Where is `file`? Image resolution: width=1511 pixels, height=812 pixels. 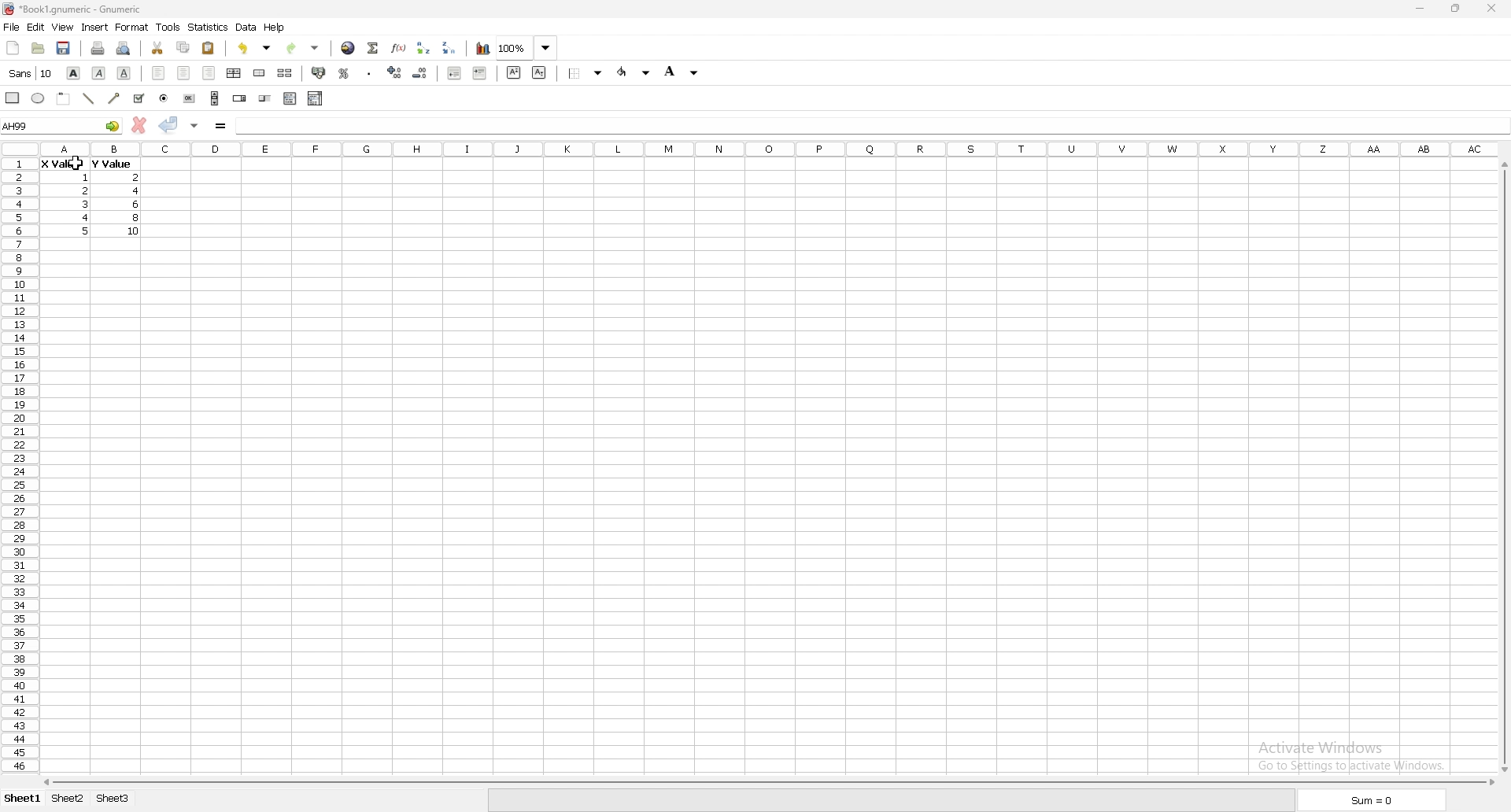
file is located at coordinates (11, 28).